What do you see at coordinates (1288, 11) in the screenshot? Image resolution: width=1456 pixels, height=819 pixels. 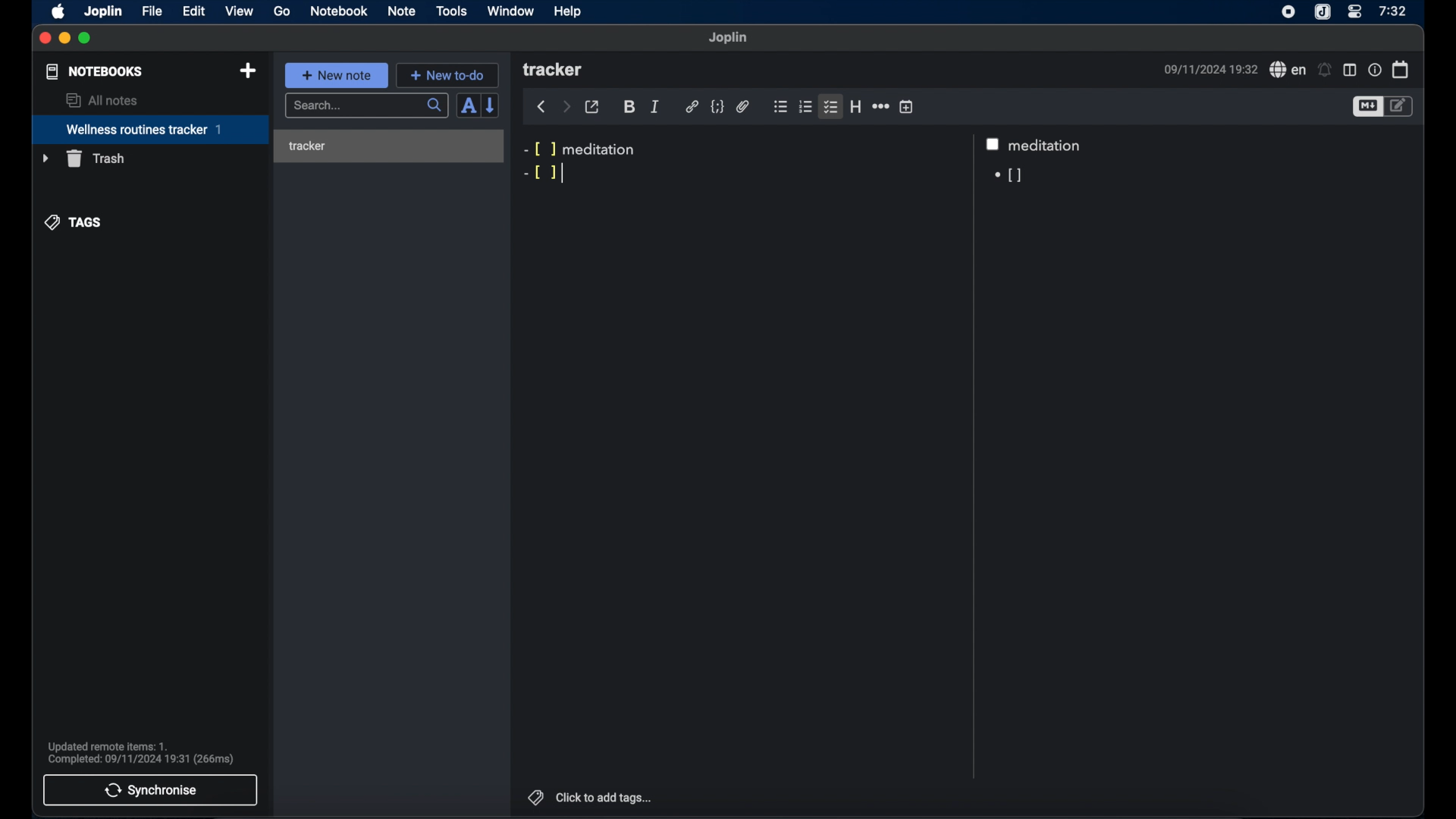 I see `screen recorder` at bounding box center [1288, 11].